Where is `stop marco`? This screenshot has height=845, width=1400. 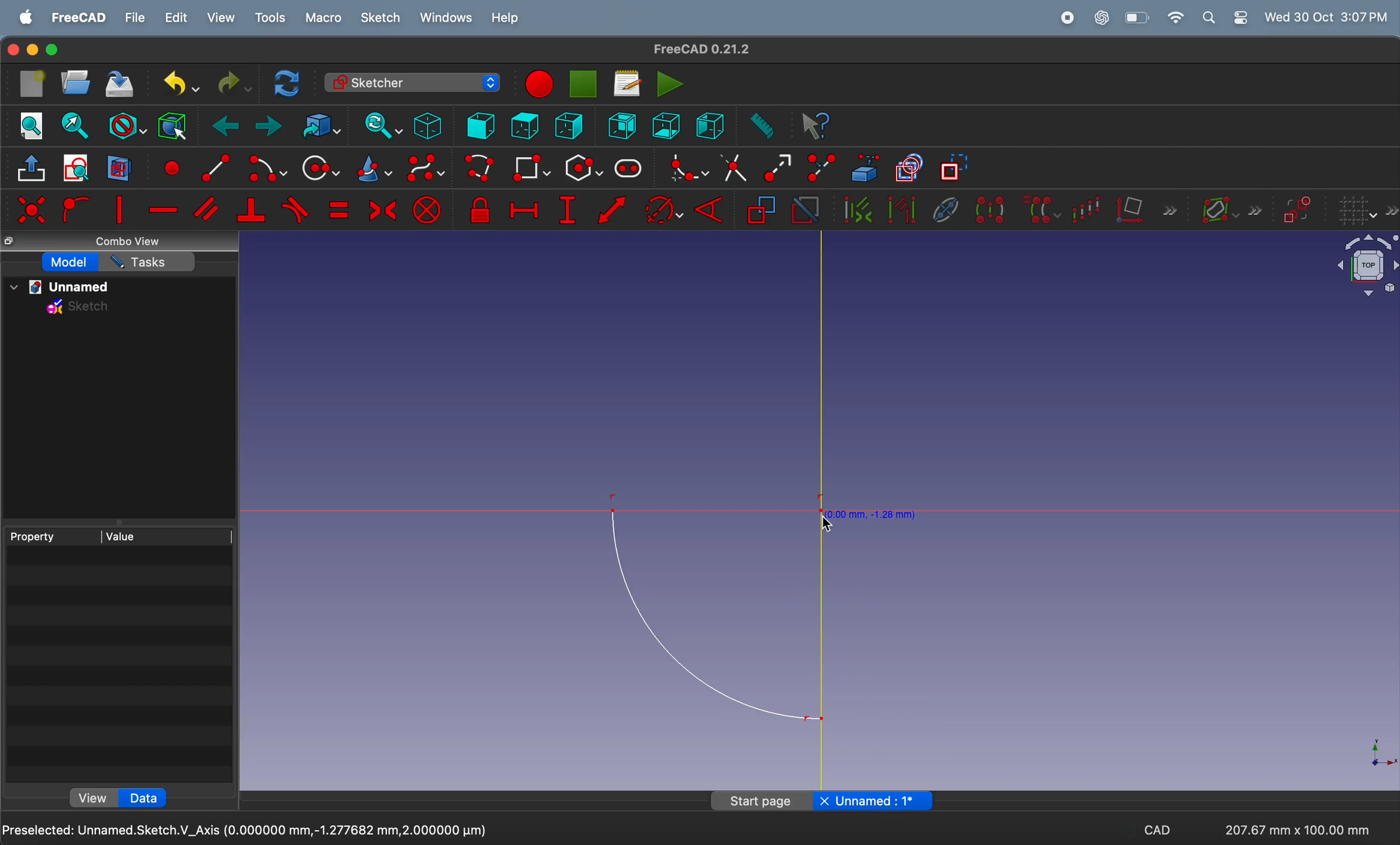
stop marco is located at coordinates (537, 84).